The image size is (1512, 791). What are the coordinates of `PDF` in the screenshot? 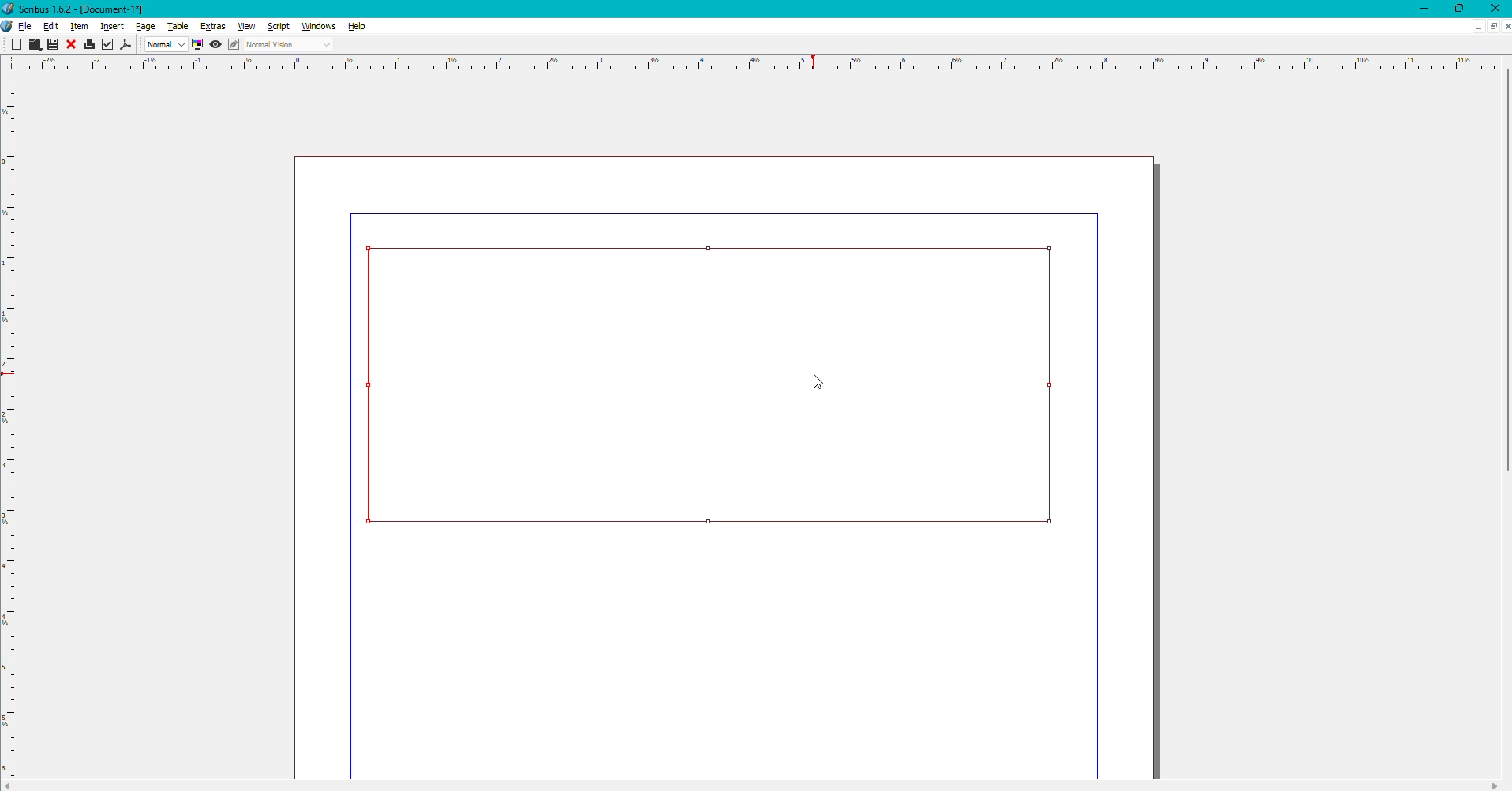 It's located at (127, 45).